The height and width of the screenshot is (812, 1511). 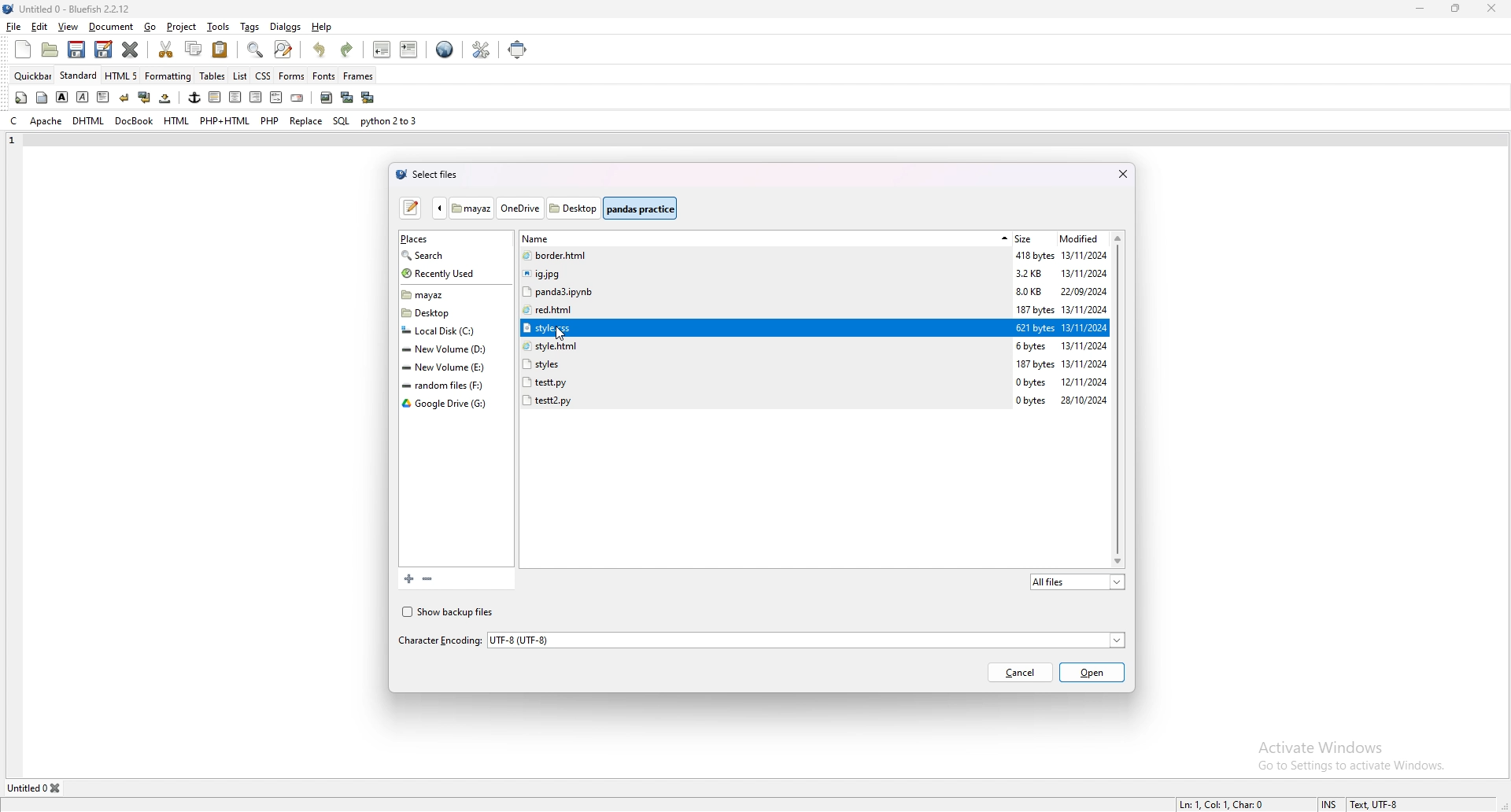 What do you see at coordinates (1085, 365) in the screenshot?
I see `13/11/2024` at bounding box center [1085, 365].